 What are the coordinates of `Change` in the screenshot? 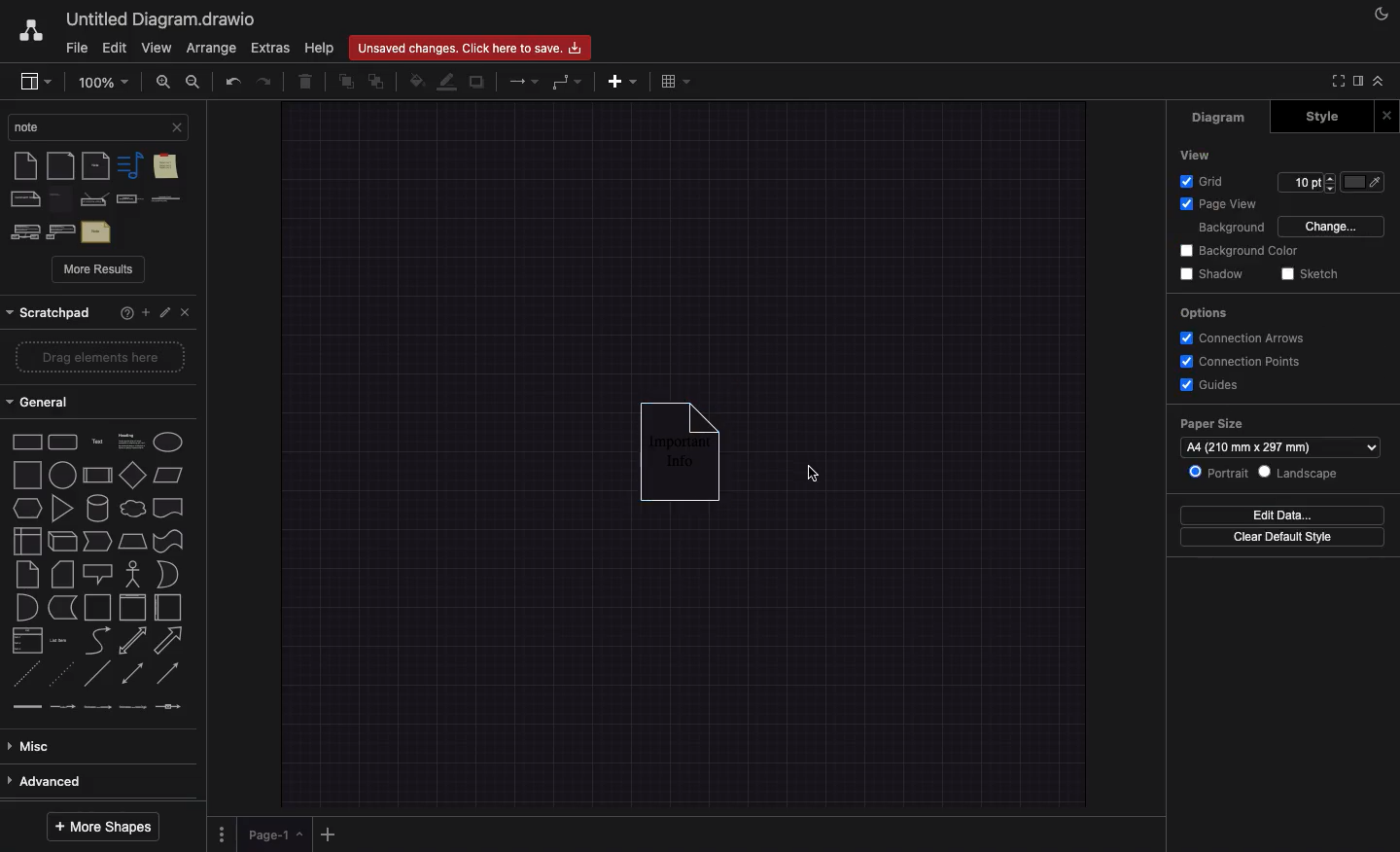 It's located at (1330, 227).